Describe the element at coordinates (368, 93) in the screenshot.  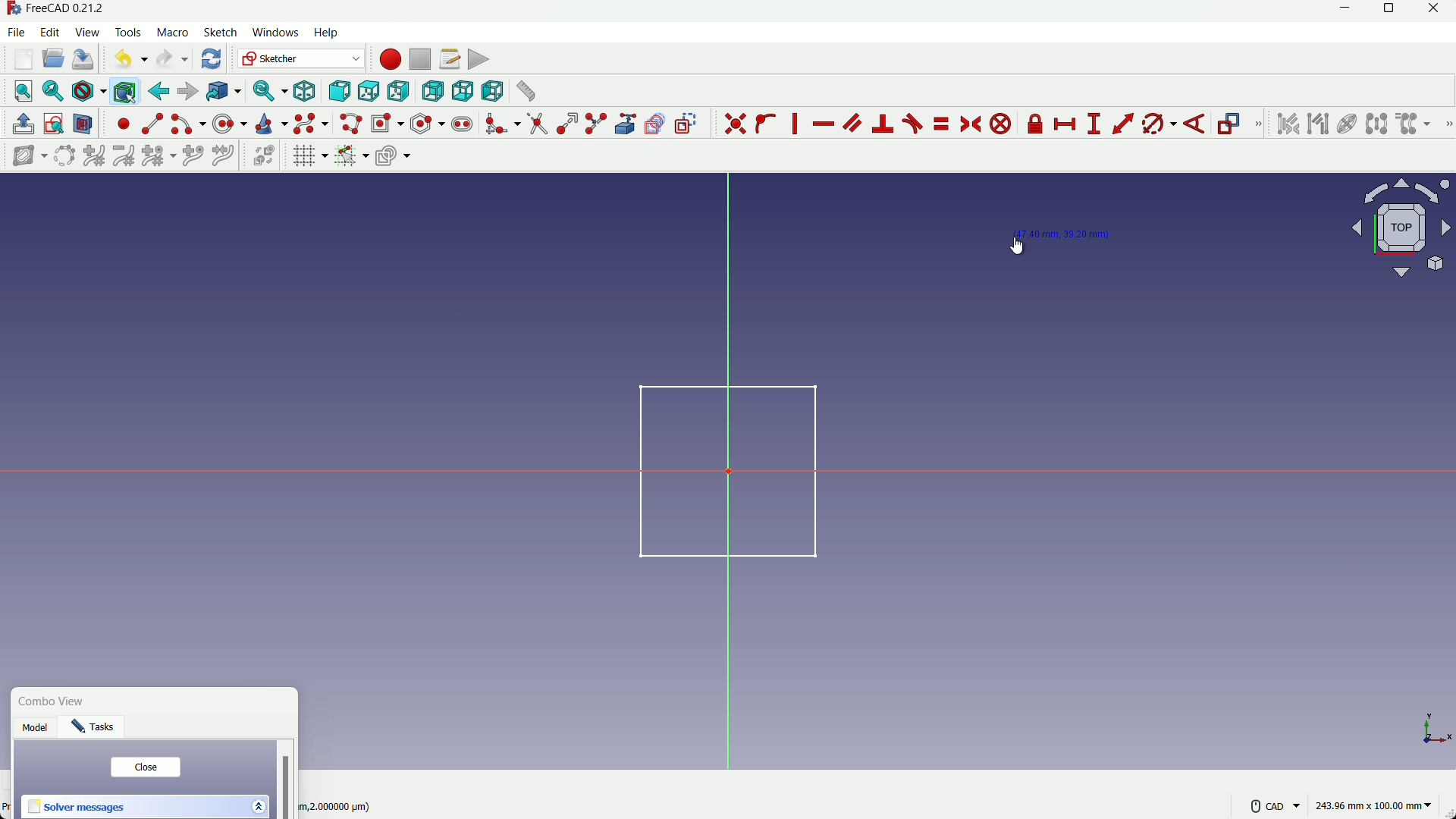
I see `top view` at that location.